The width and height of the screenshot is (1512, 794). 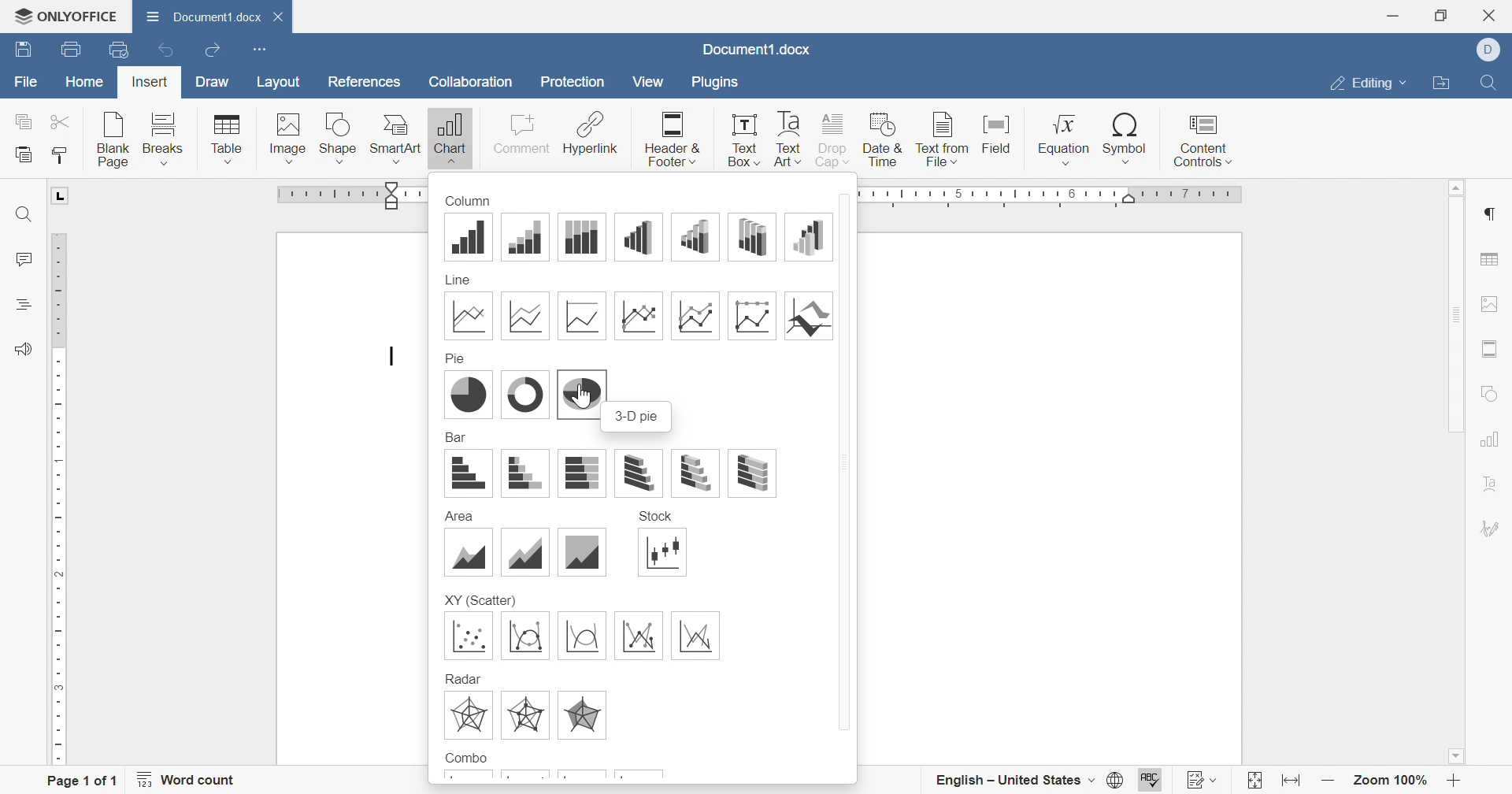 I want to click on Open File location, so click(x=1444, y=83).